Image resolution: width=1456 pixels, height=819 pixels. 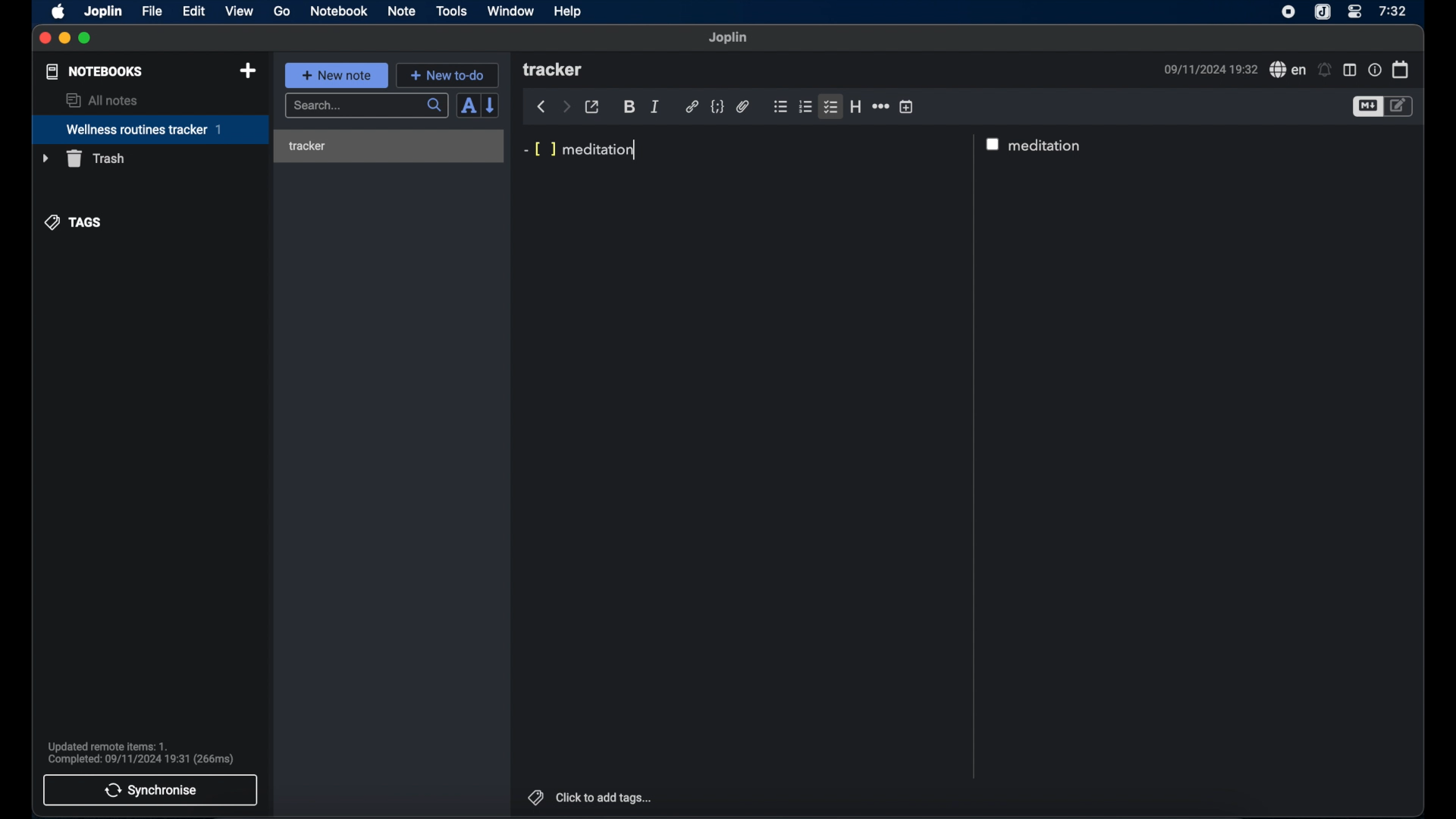 I want to click on 7:32, so click(x=1392, y=11).